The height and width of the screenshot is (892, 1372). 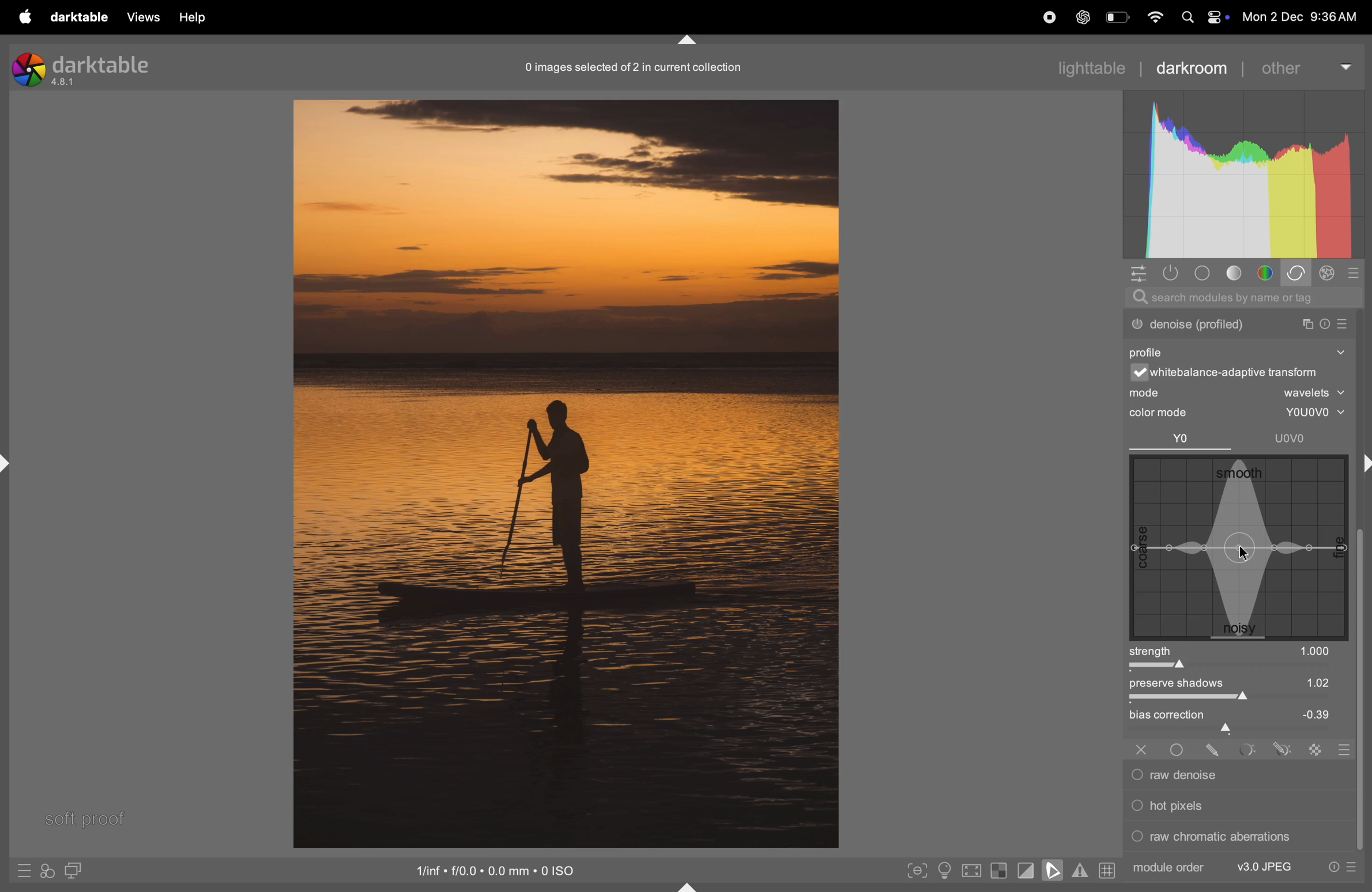 What do you see at coordinates (631, 67) in the screenshot?
I see `image collection` at bounding box center [631, 67].